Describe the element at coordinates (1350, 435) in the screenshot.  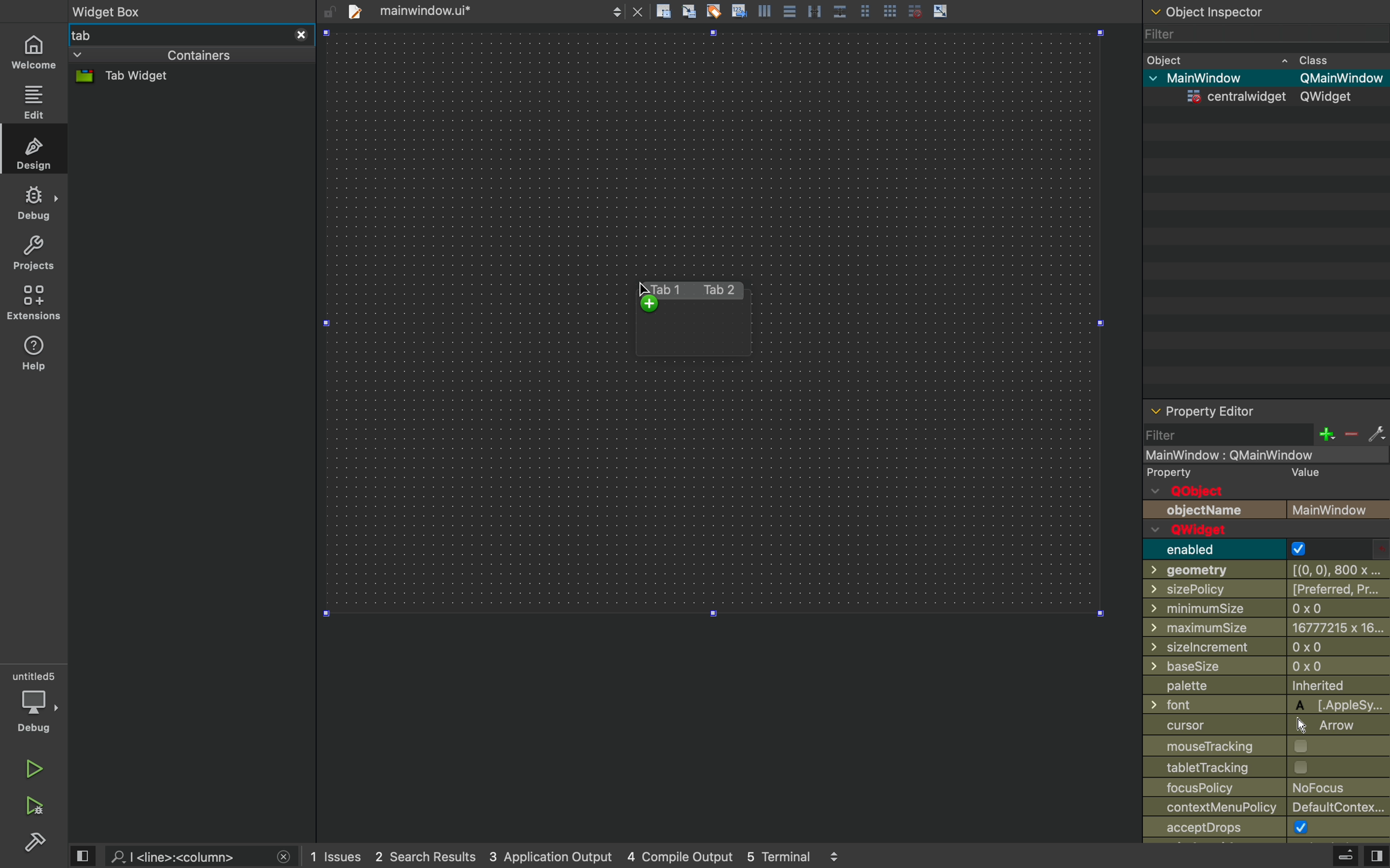
I see `minus` at that location.